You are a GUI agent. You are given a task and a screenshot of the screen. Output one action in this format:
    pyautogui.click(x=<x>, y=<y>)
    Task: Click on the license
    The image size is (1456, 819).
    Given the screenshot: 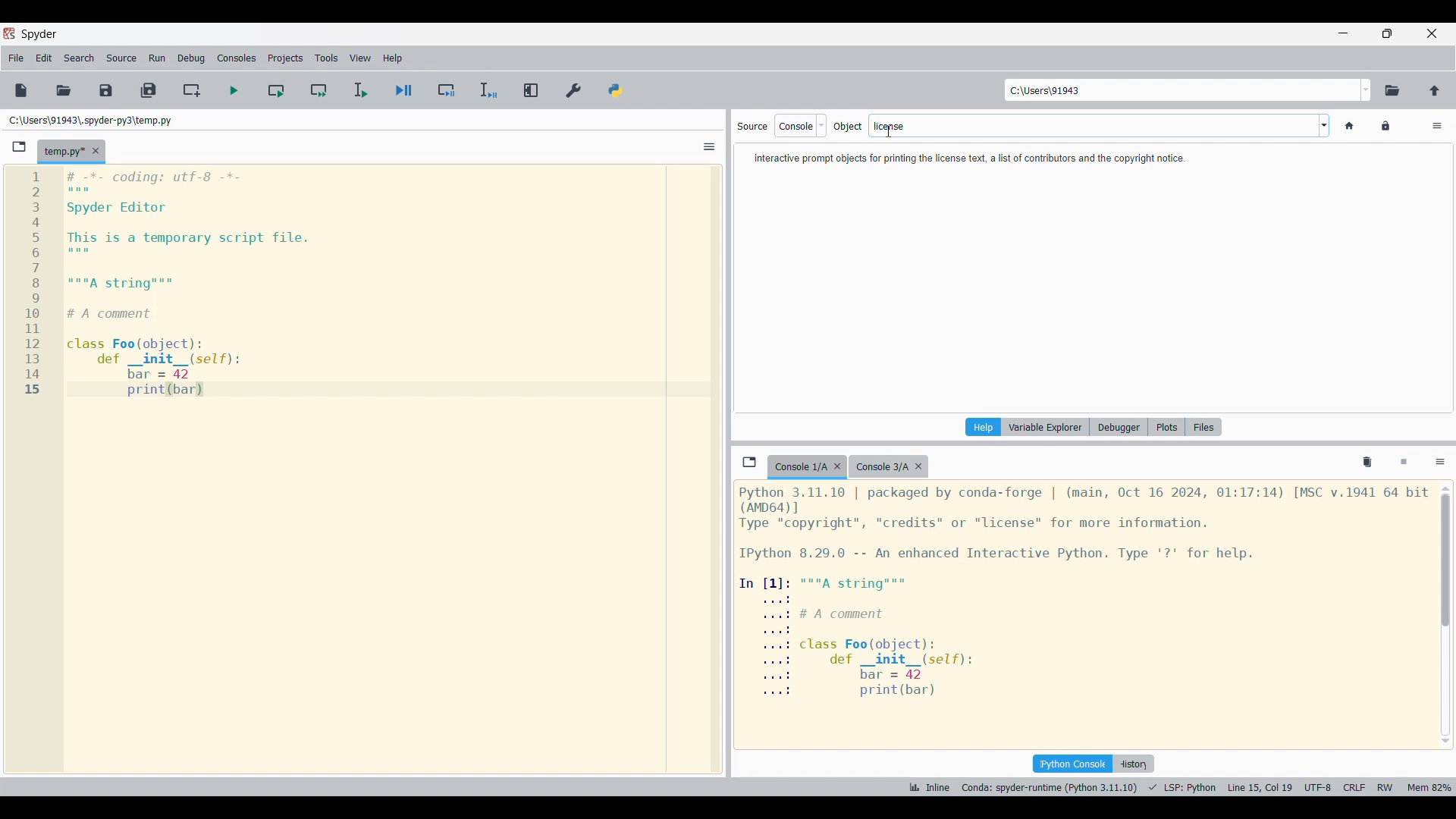 What is the action you would take?
    pyautogui.click(x=890, y=127)
    